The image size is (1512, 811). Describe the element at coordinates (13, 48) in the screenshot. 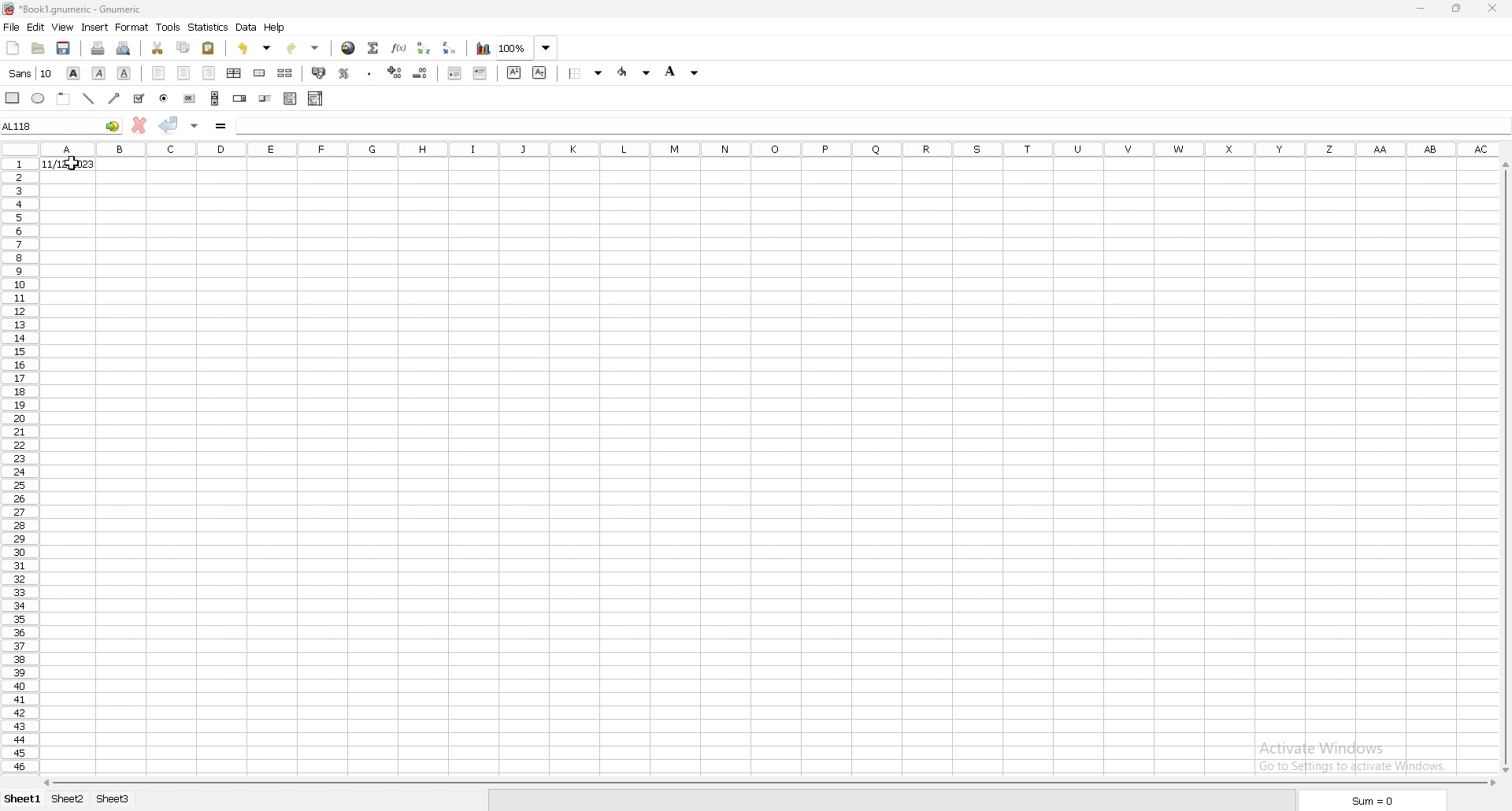

I see `new` at that location.